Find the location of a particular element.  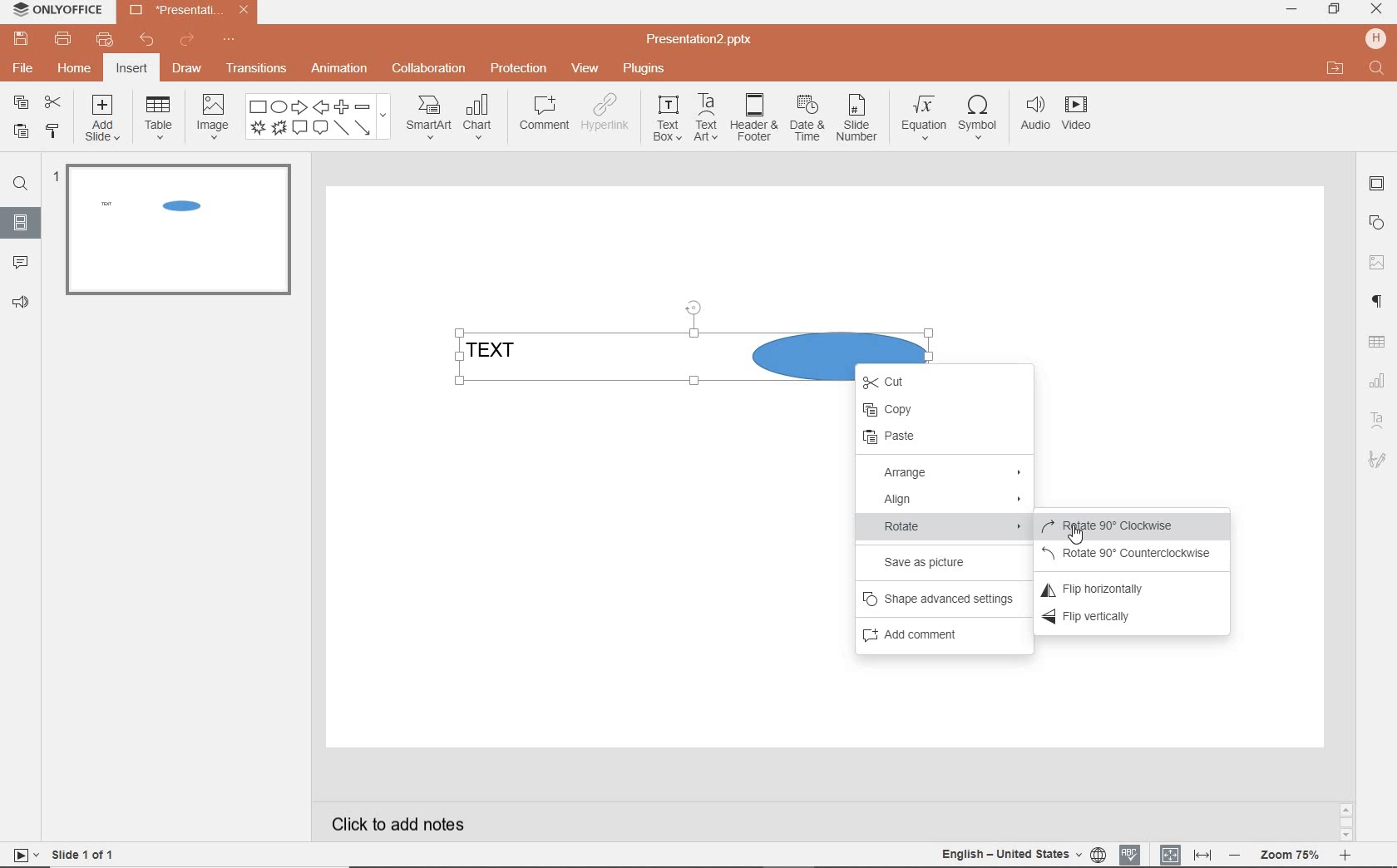

OPEN FILE LOCATION is located at coordinates (1333, 66).